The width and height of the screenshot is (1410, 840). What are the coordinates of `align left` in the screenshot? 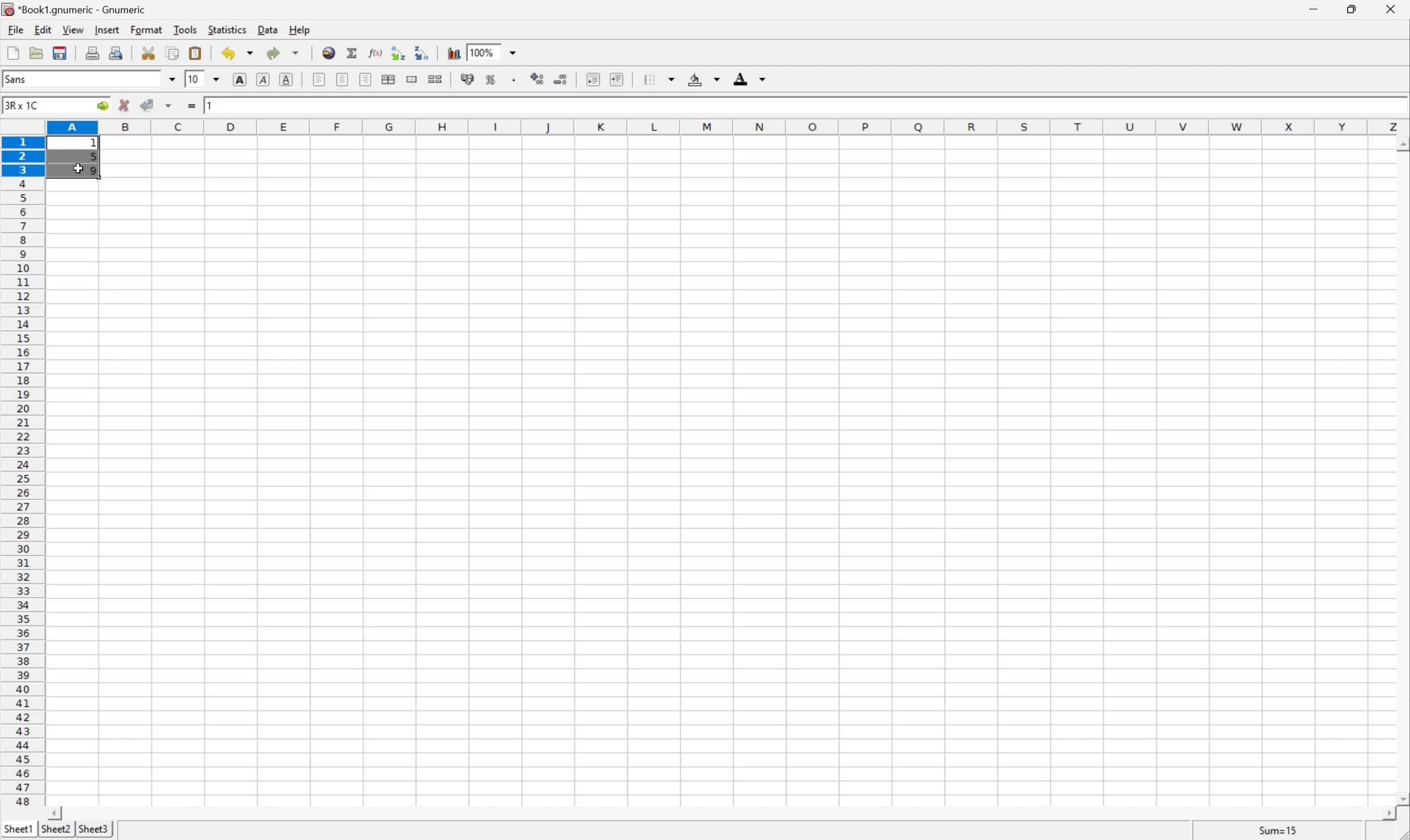 It's located at (320, 79).